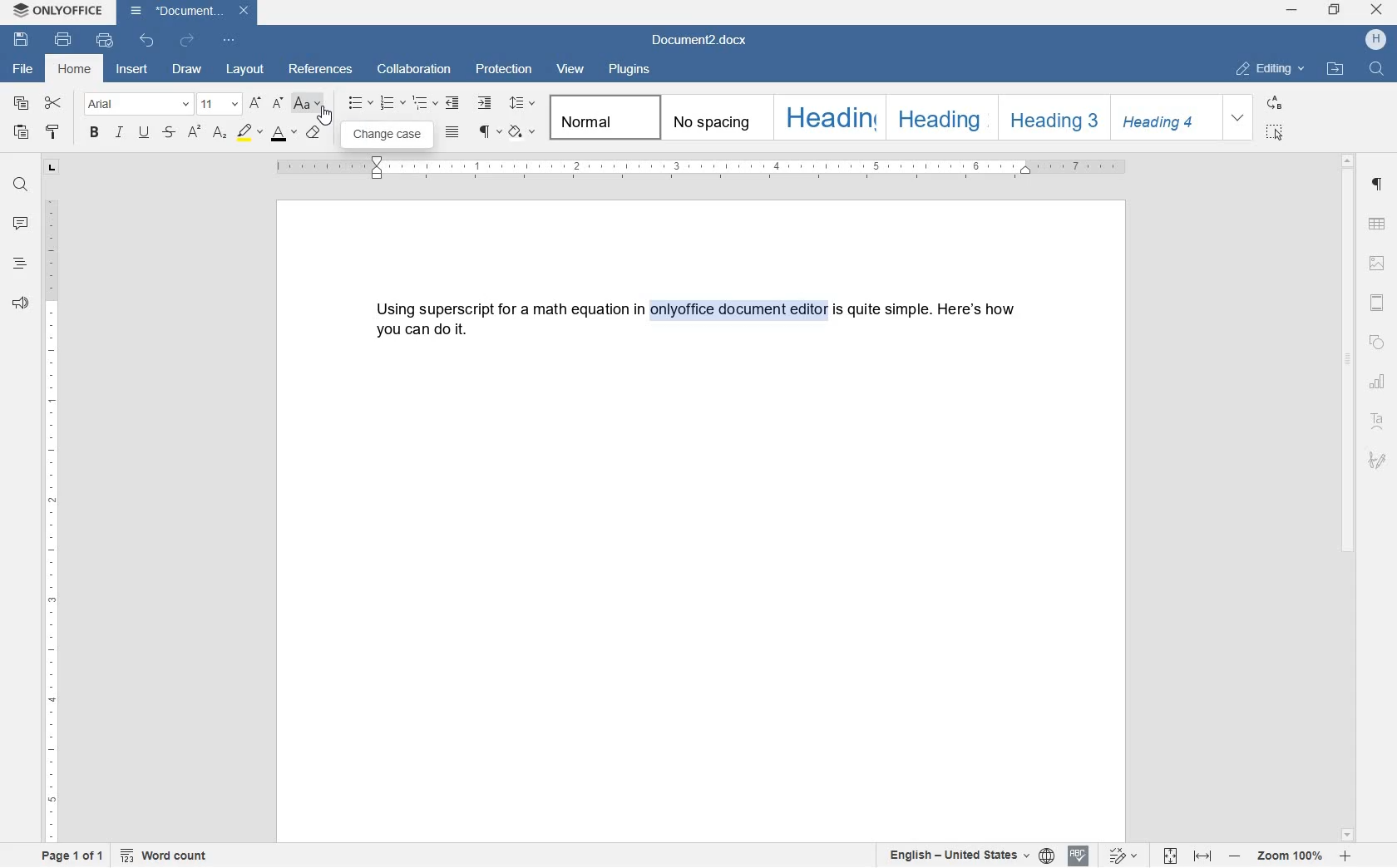 The width and height of the screenshot is (1397, 868). I want to click on HEADING 4, so click(1164, 118).